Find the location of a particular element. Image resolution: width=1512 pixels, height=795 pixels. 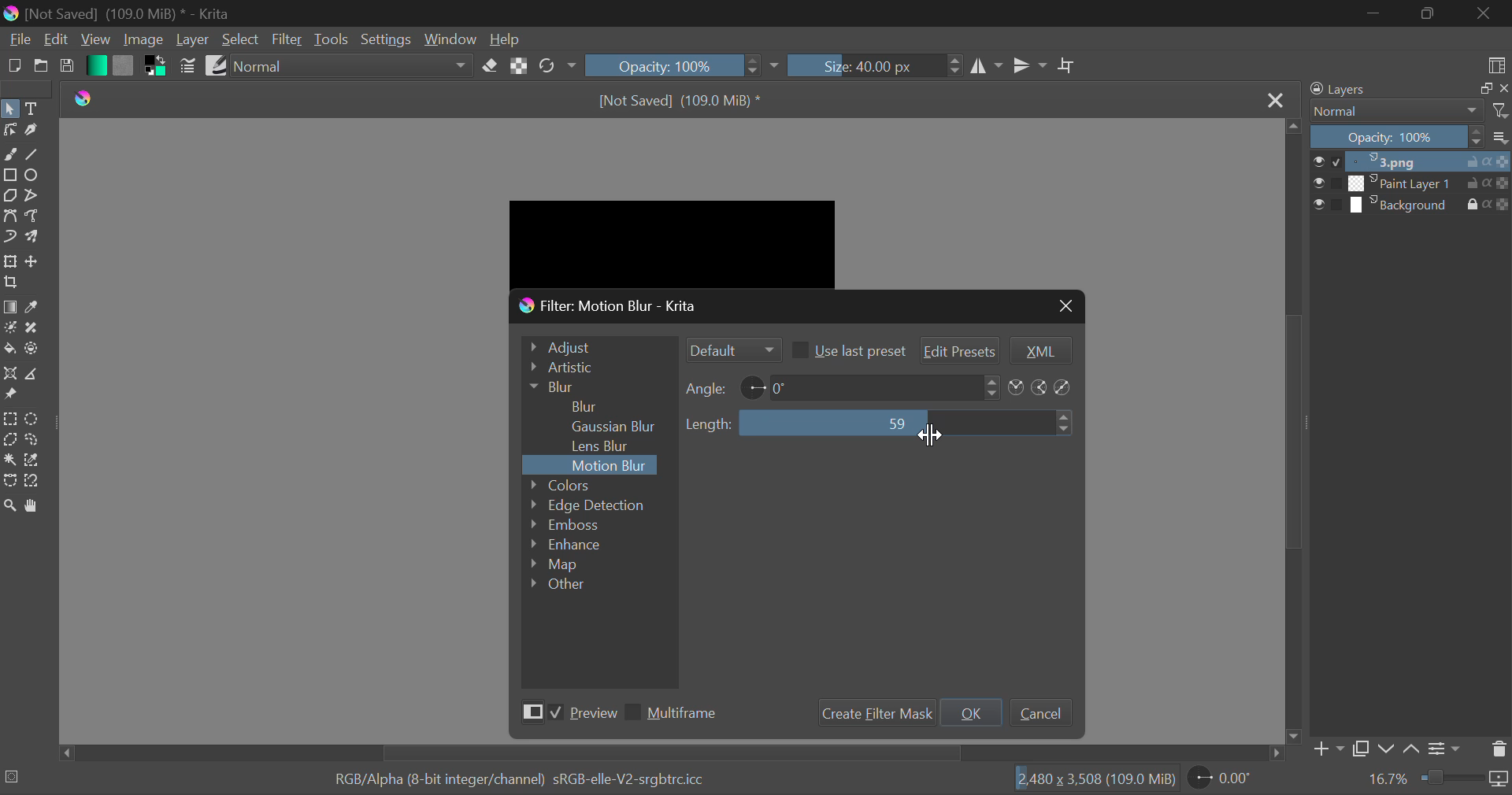

Move Layer is located at coordinates (35, 261).